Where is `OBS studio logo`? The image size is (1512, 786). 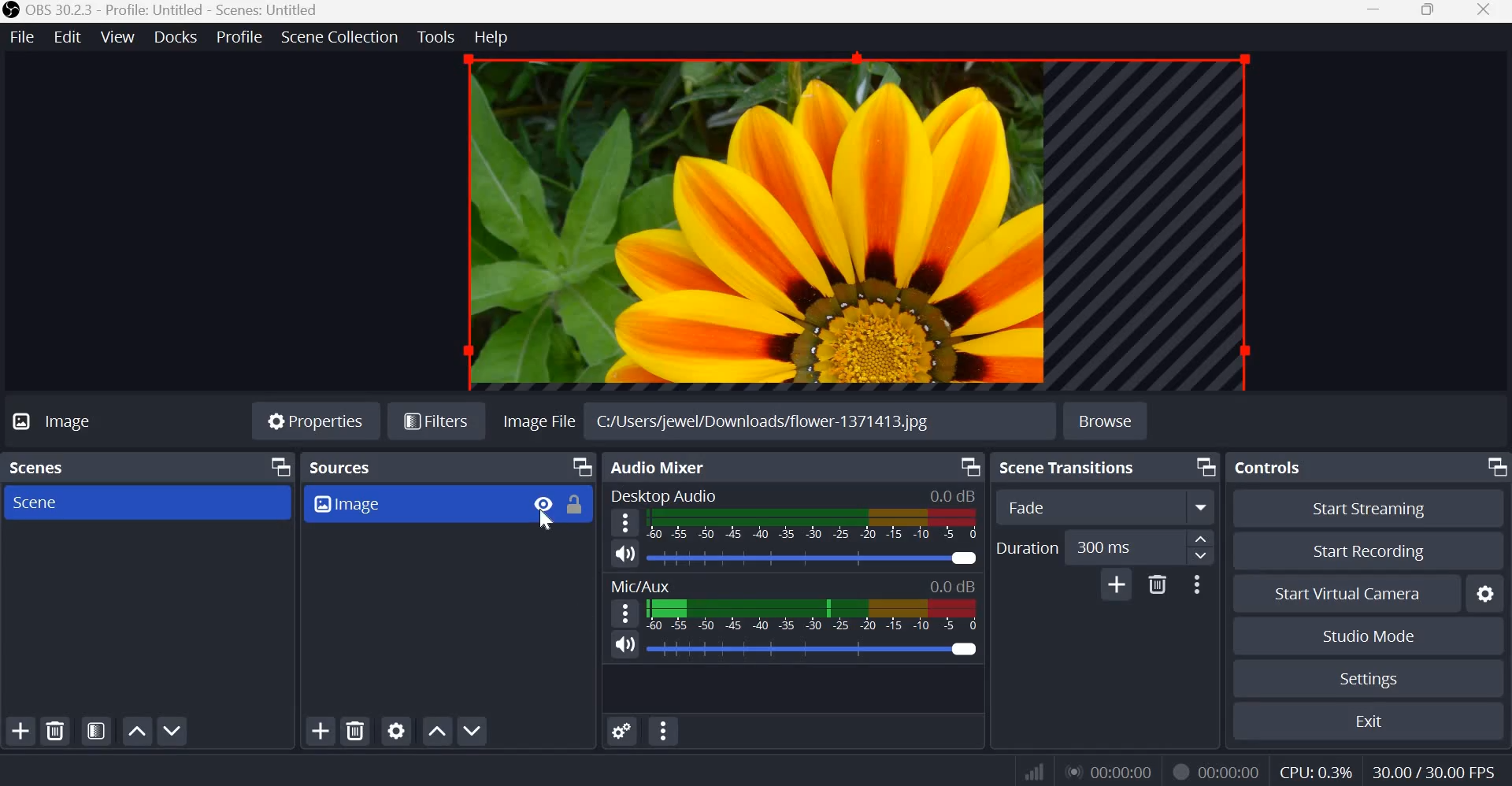
OBS studio logo is located at coordinates (11, 11).